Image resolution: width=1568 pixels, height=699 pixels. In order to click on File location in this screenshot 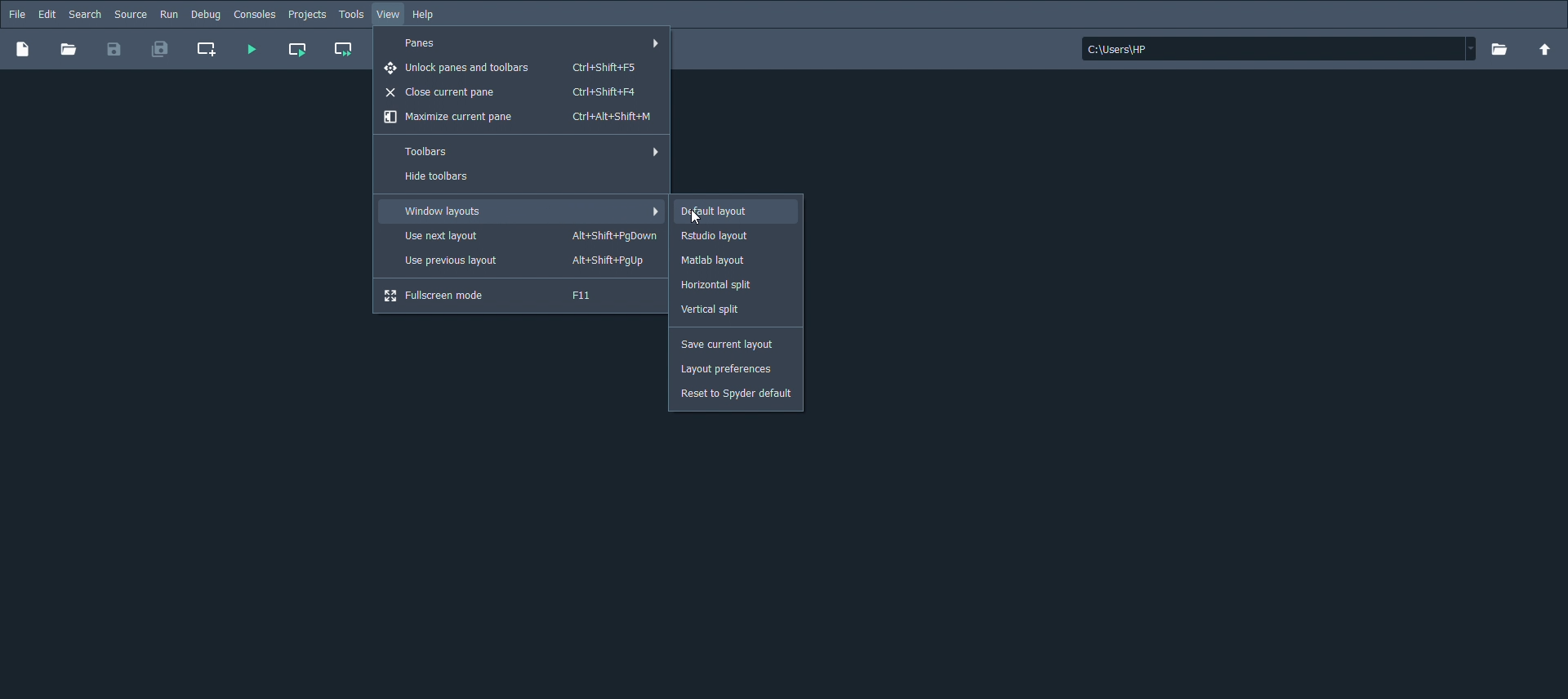, I will do `click(1276, 48)`.